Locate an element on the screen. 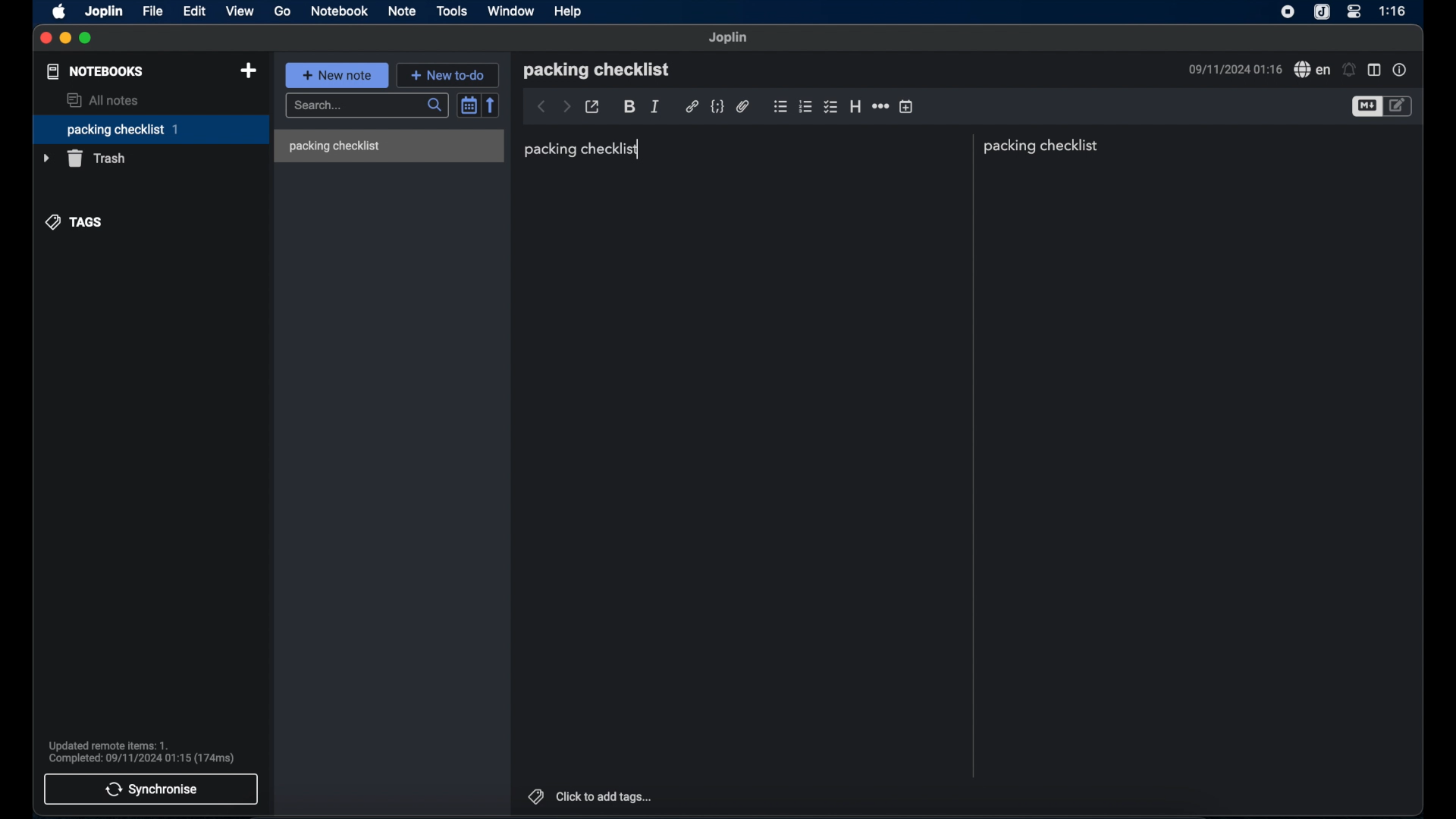 The width and height of the screenshot is (1456, 819). italic is located at coordinates (654, 105).